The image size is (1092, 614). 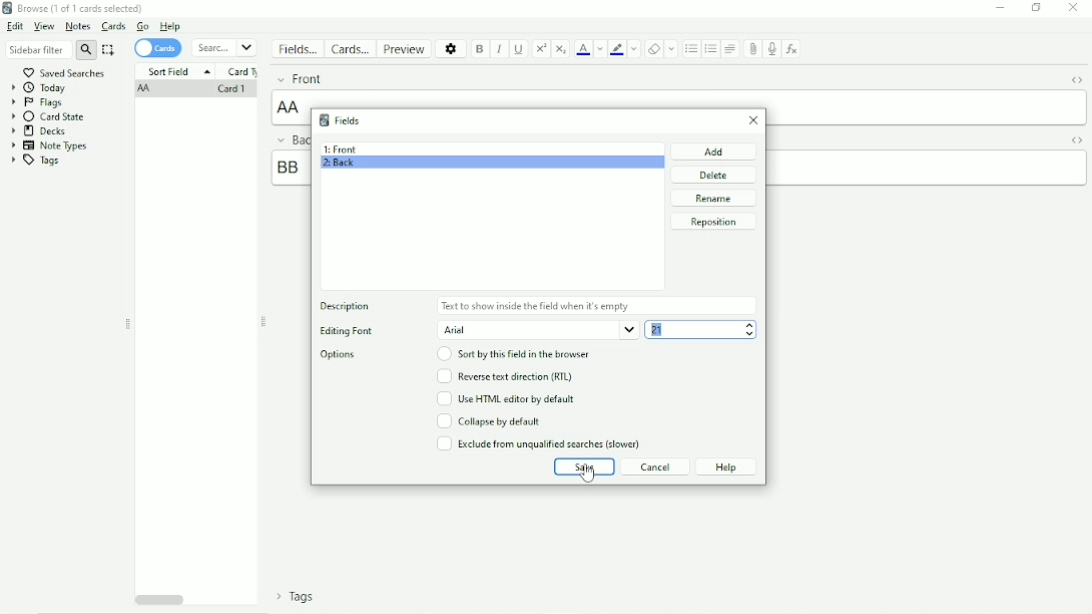 I want to click on Go, so click(x=143, y=26).